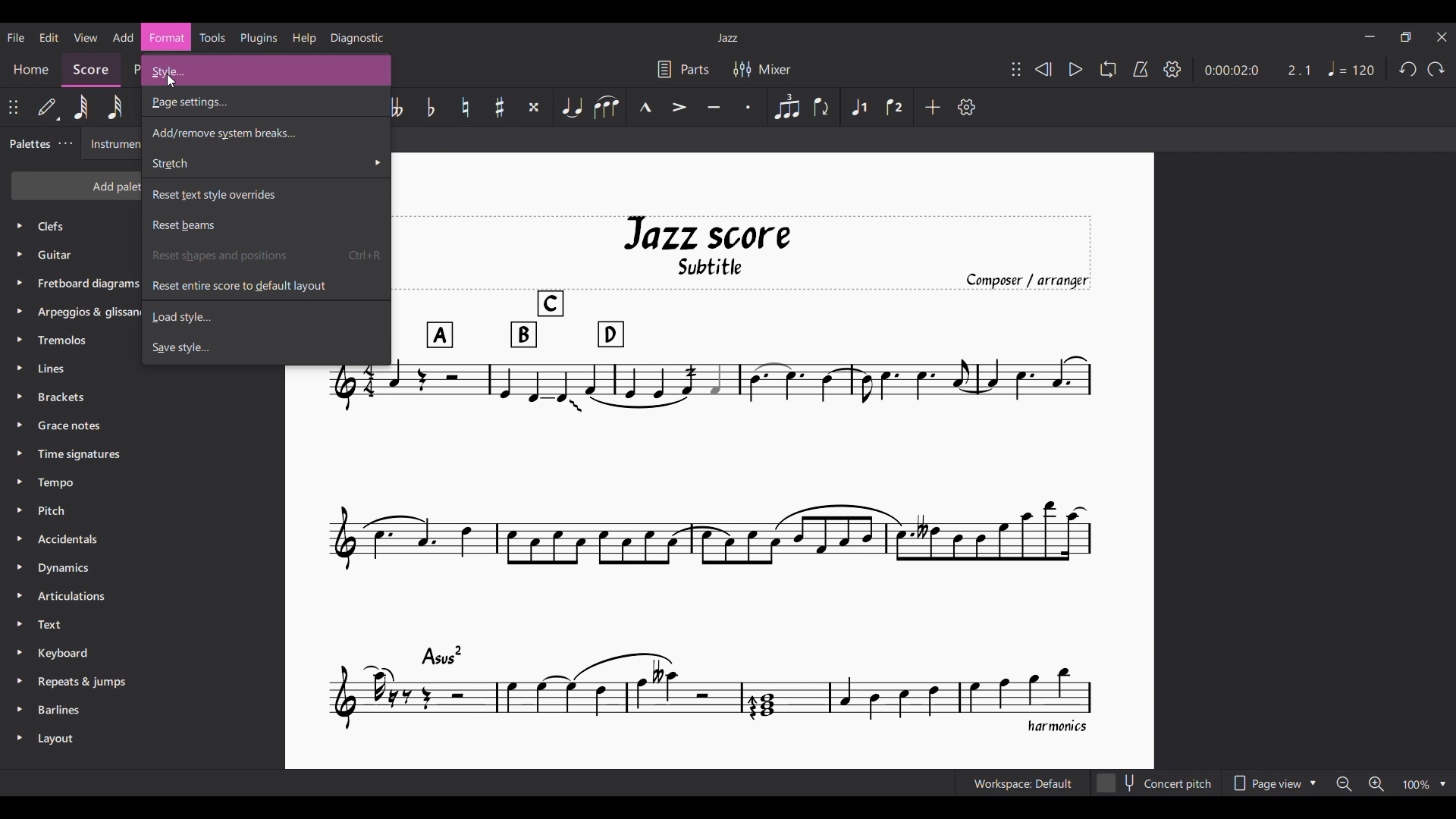 The width and height of the screenshot is (1456, 819). Describe the element at coordinates (500, 107) in the screenshot. I see `Toggle sharp` at that location.